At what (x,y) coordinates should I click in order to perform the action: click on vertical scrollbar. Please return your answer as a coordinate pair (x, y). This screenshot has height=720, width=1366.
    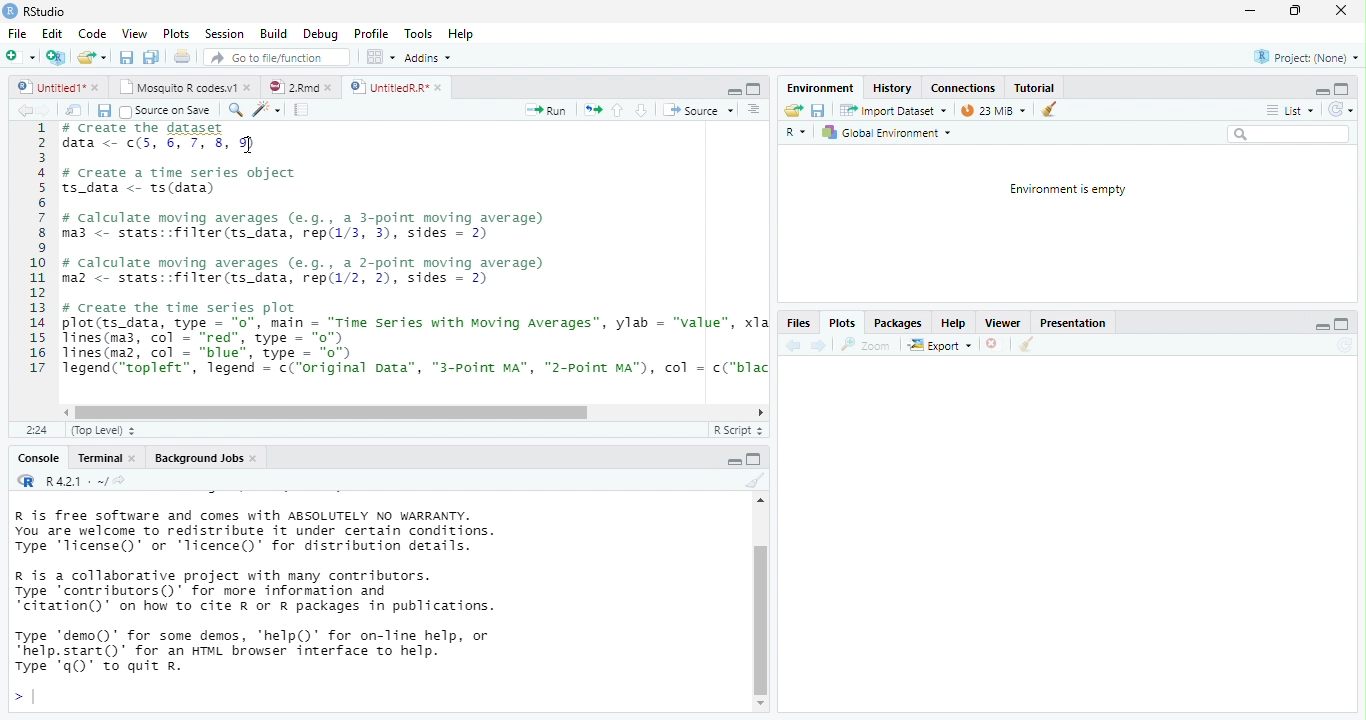
    Looking at the image, I should click on (761, 619).